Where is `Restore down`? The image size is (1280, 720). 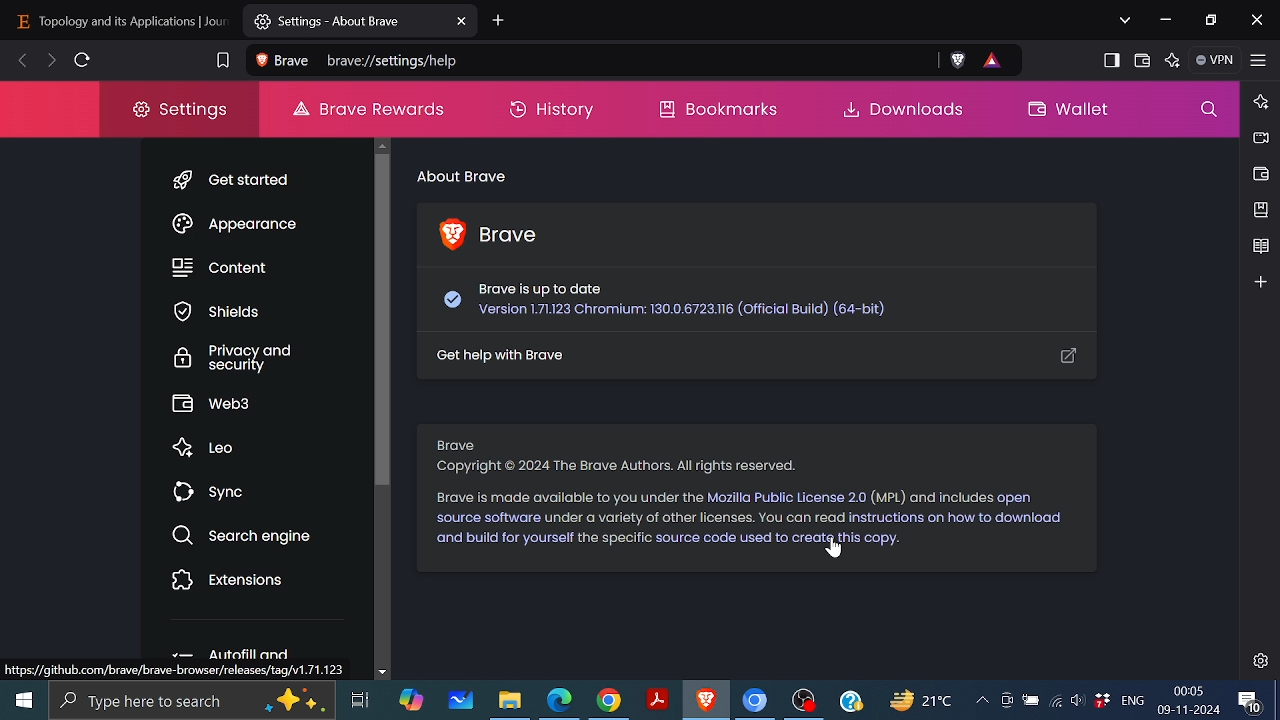 Restore down is located at coordinates (1209, 20).